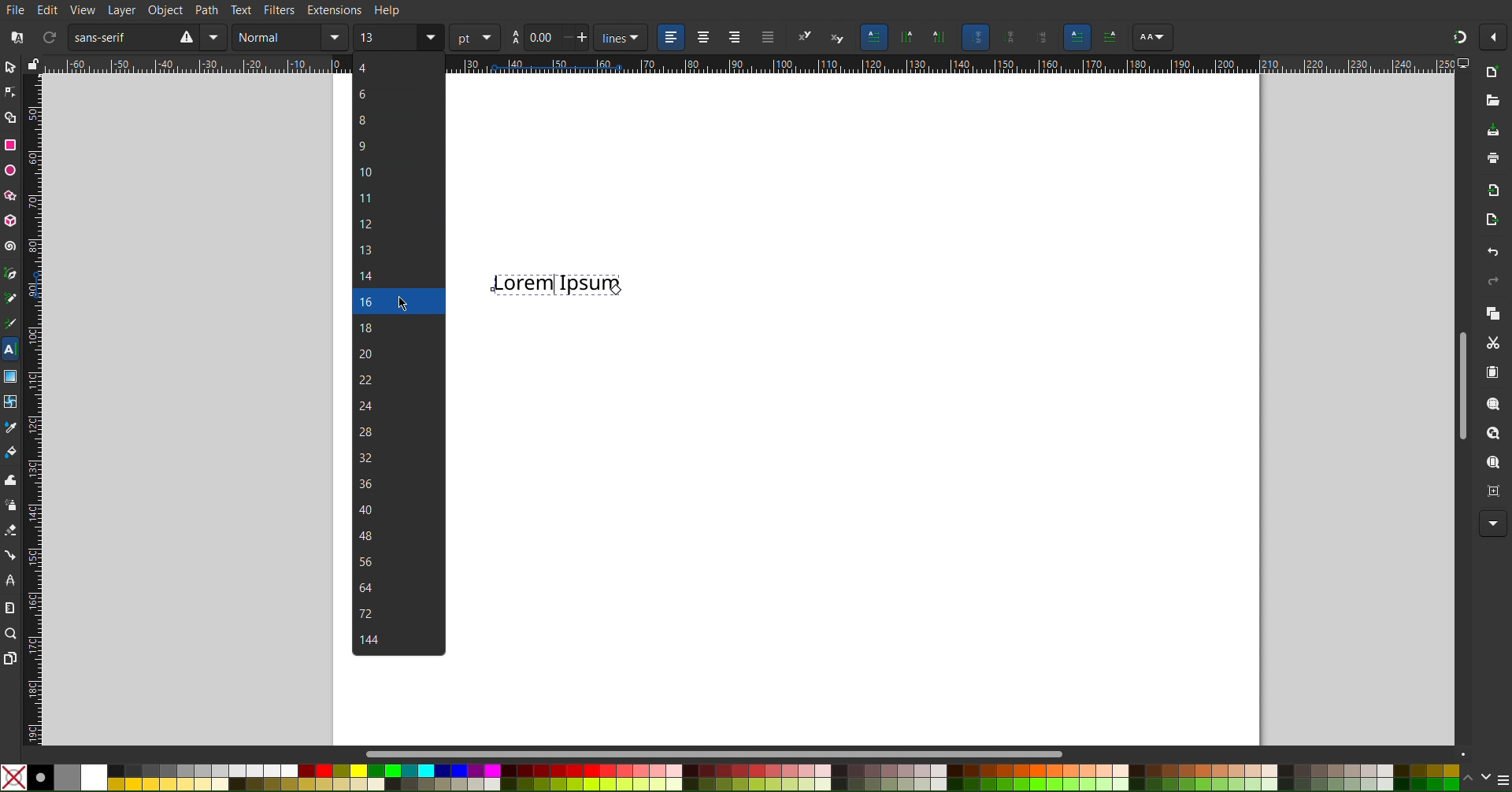 This screenshot has height=792, width=1512. Describe the element at coordinates (10, 376) in the screenshot. I see `Gradient Tool` at that location.